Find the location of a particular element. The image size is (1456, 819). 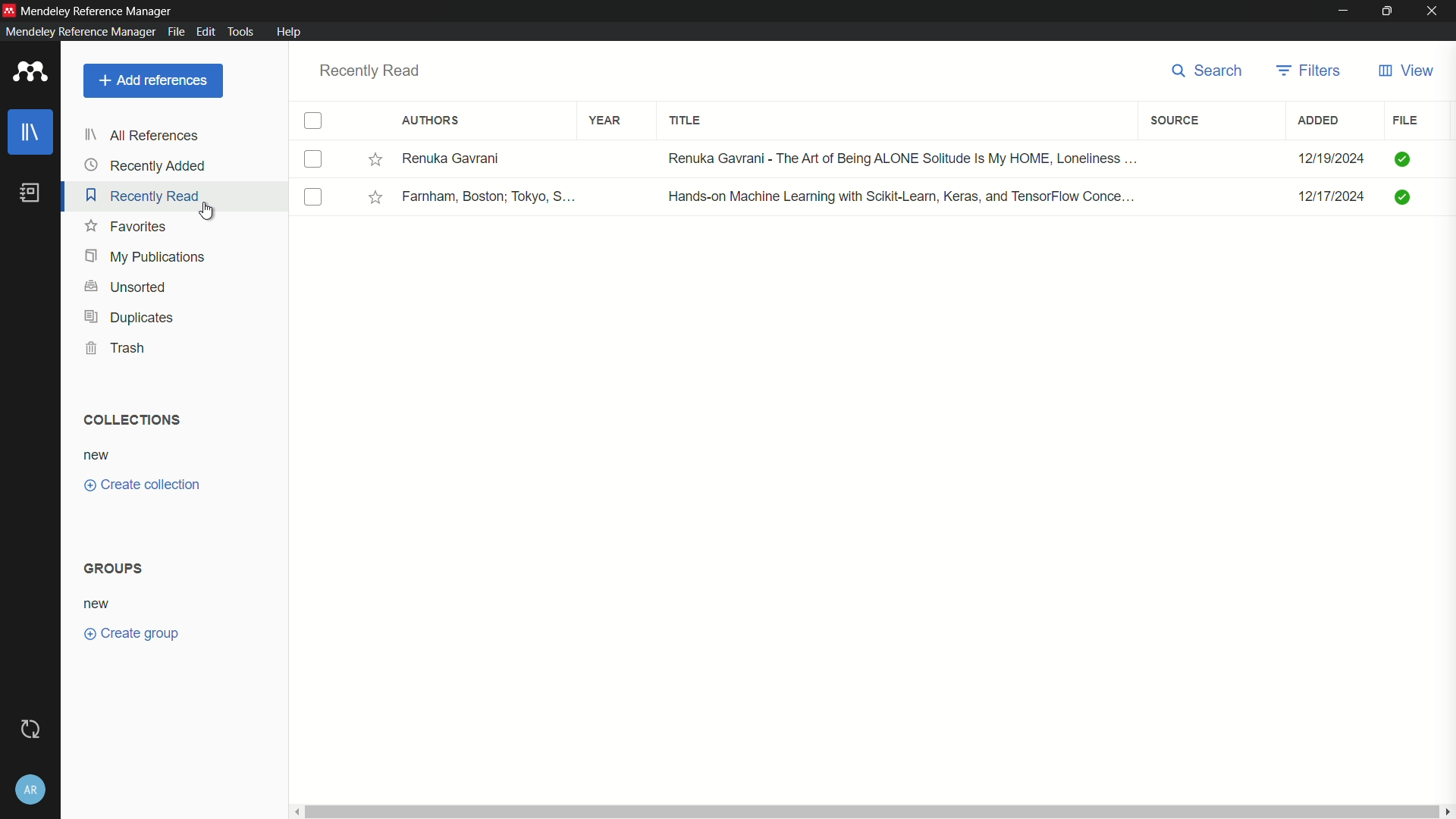

collections is located at coordinates (130, 419).